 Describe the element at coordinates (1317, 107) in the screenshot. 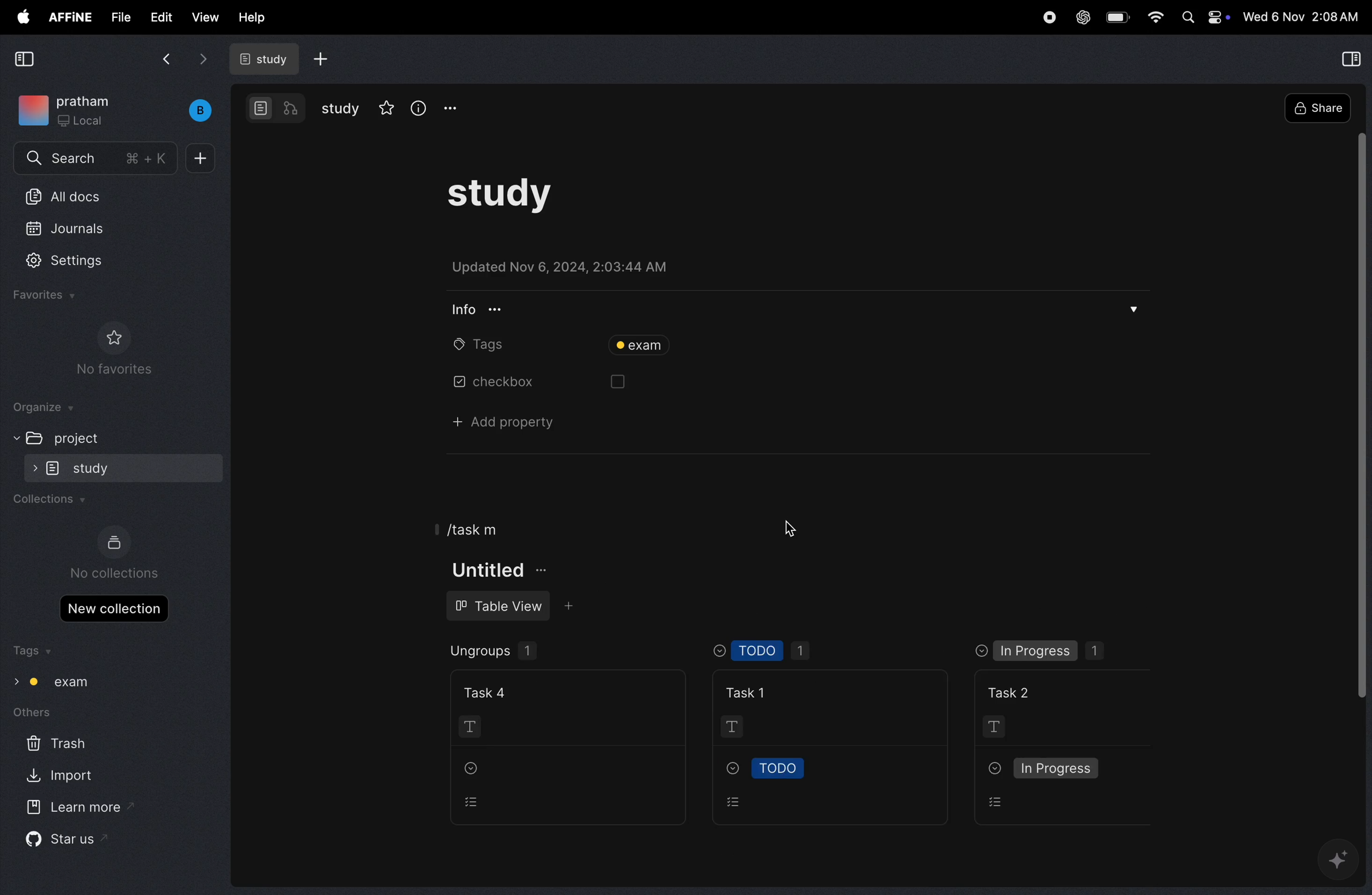

I see `share` at that location.